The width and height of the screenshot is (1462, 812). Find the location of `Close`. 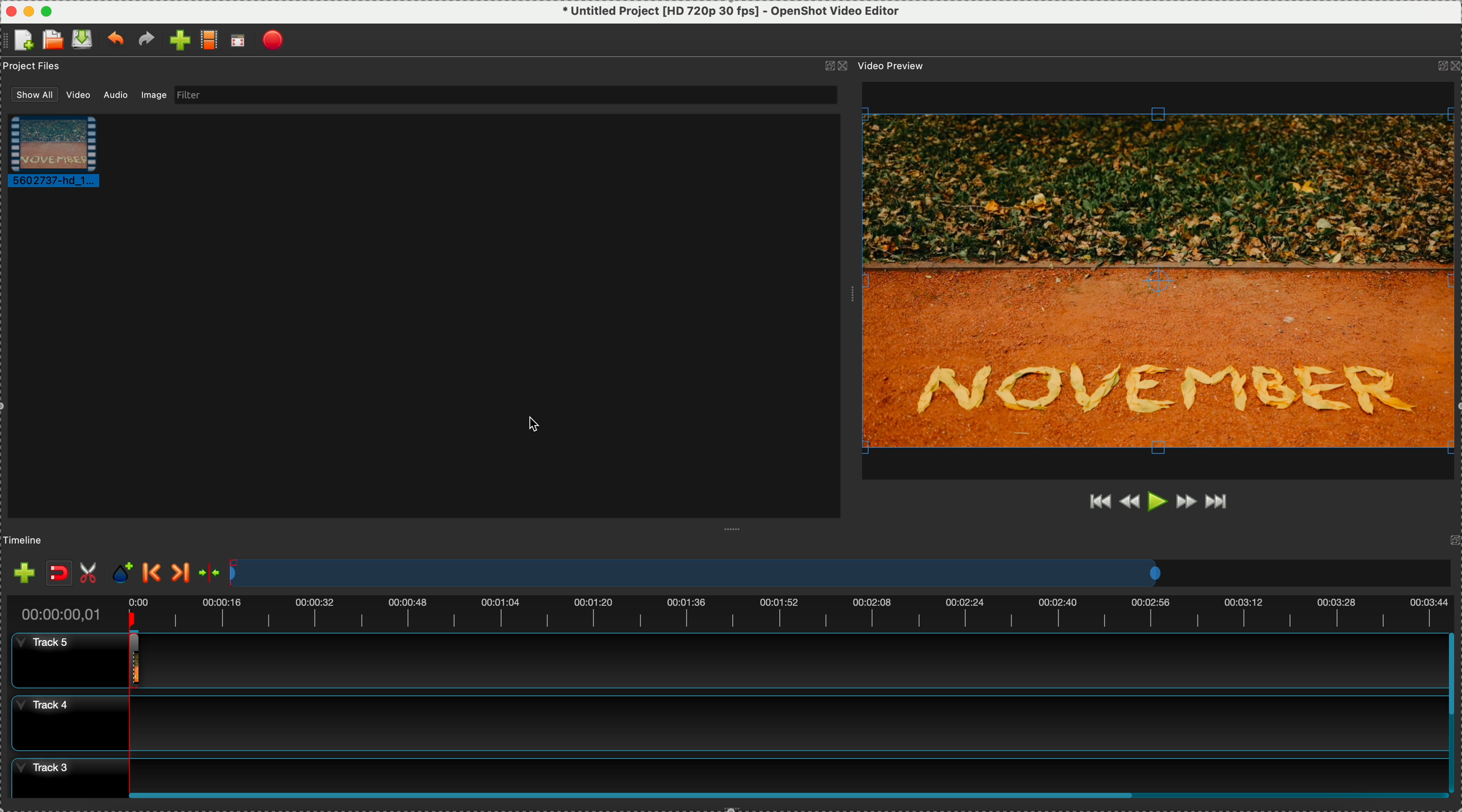

Close is located at coordinates (9, 10).